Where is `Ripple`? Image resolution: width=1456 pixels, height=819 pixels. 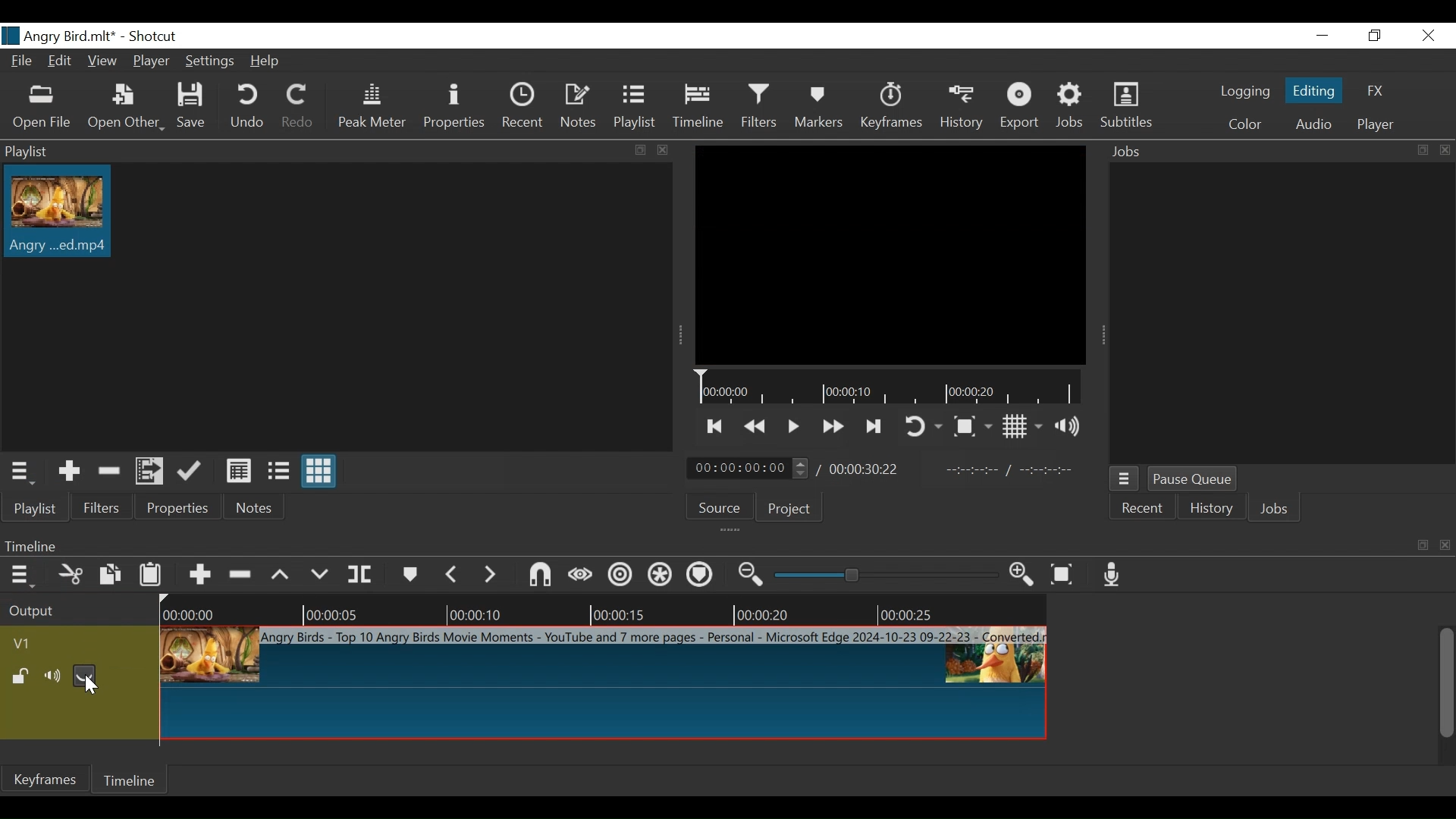 Ripple is located at coordinates (620, 575).